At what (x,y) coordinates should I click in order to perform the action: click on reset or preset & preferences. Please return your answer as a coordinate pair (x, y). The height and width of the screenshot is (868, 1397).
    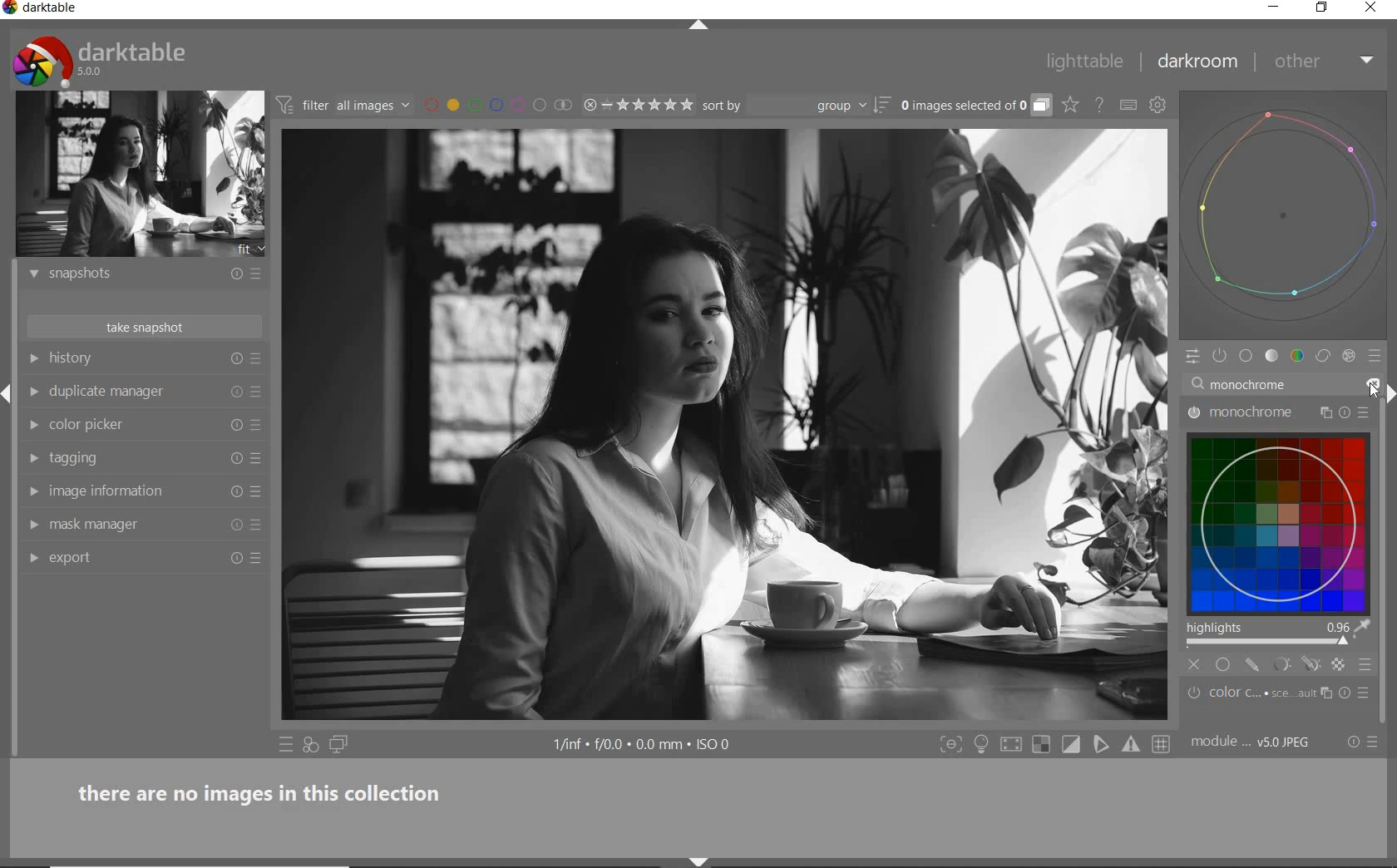
    Looking at the image, I should click on (1365, 742).